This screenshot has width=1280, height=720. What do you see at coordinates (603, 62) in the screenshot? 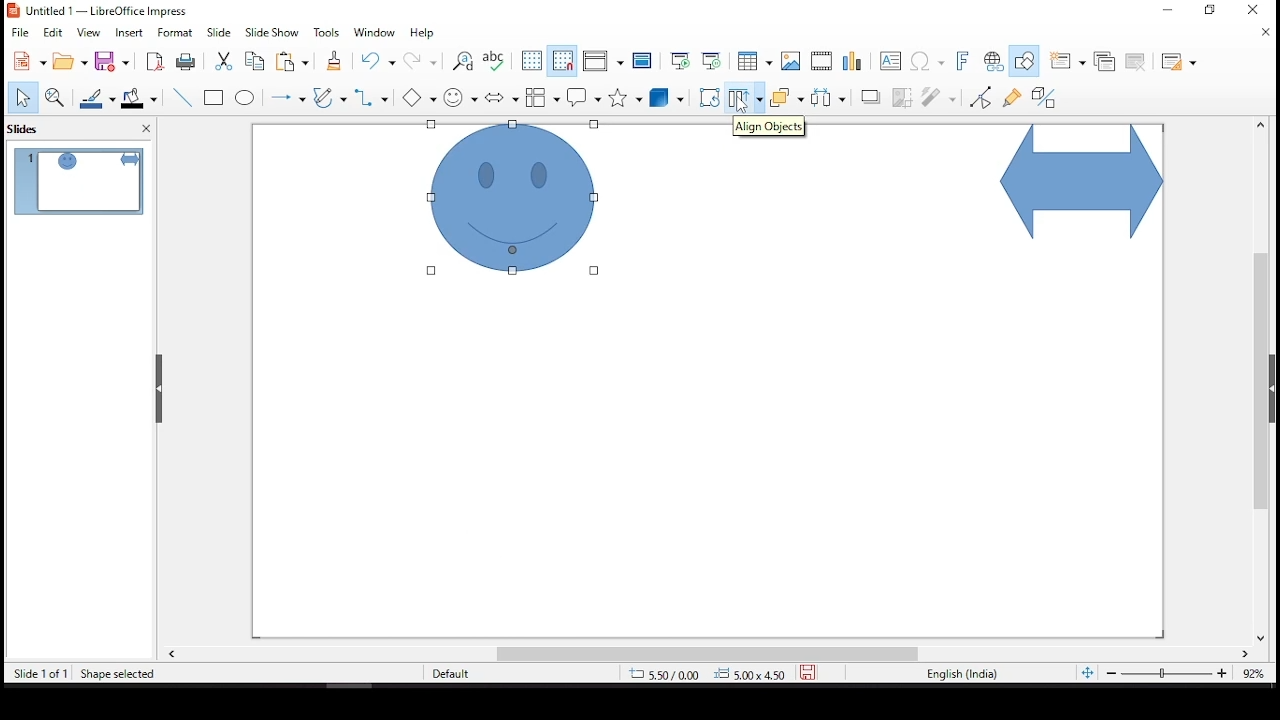
I see `display views` at bounding box center [603, 62].